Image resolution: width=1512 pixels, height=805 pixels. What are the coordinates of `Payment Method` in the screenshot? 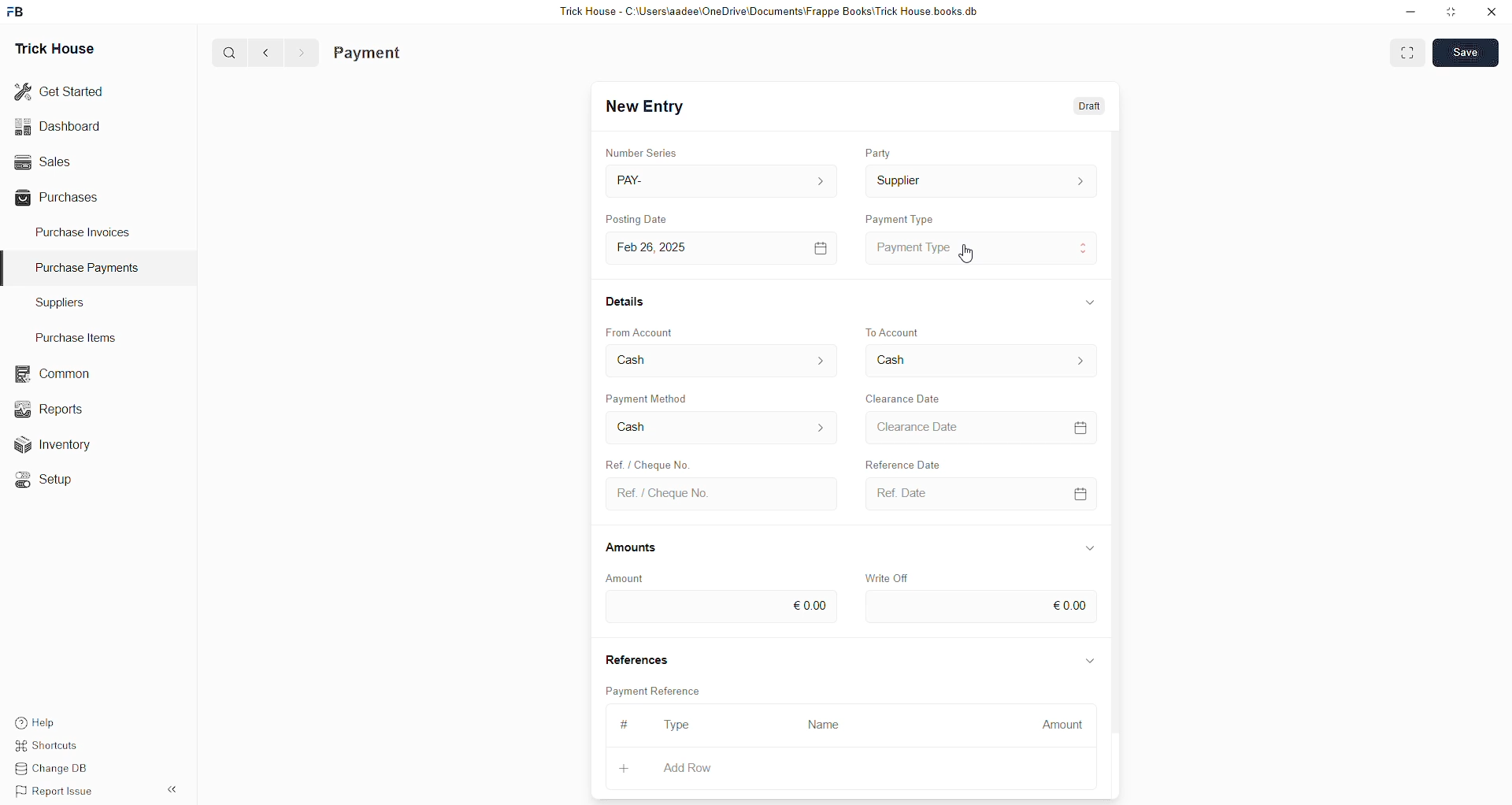 It's located at (648, 398).